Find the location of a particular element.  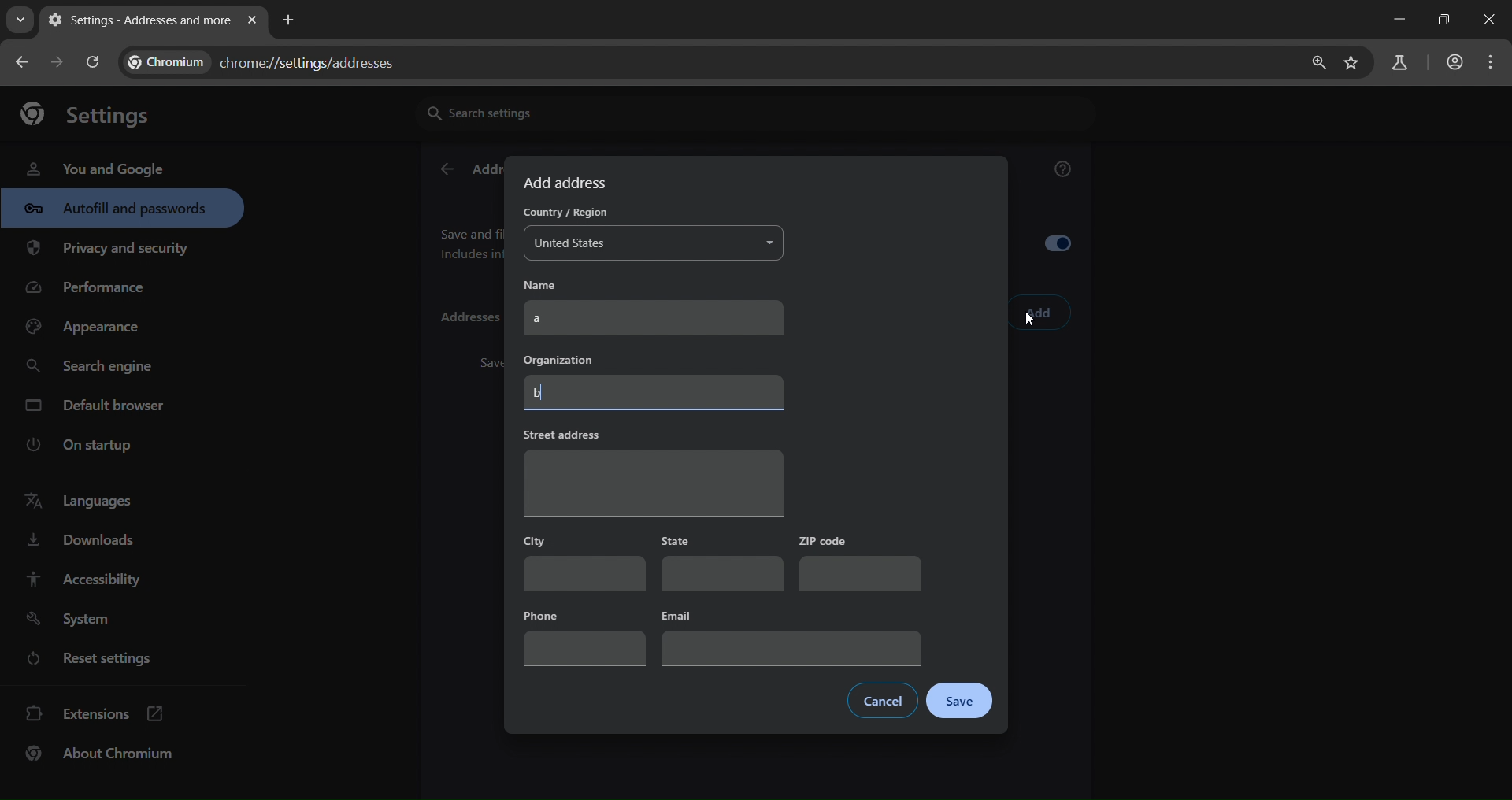

get help is located at coordinates (1064, 172).